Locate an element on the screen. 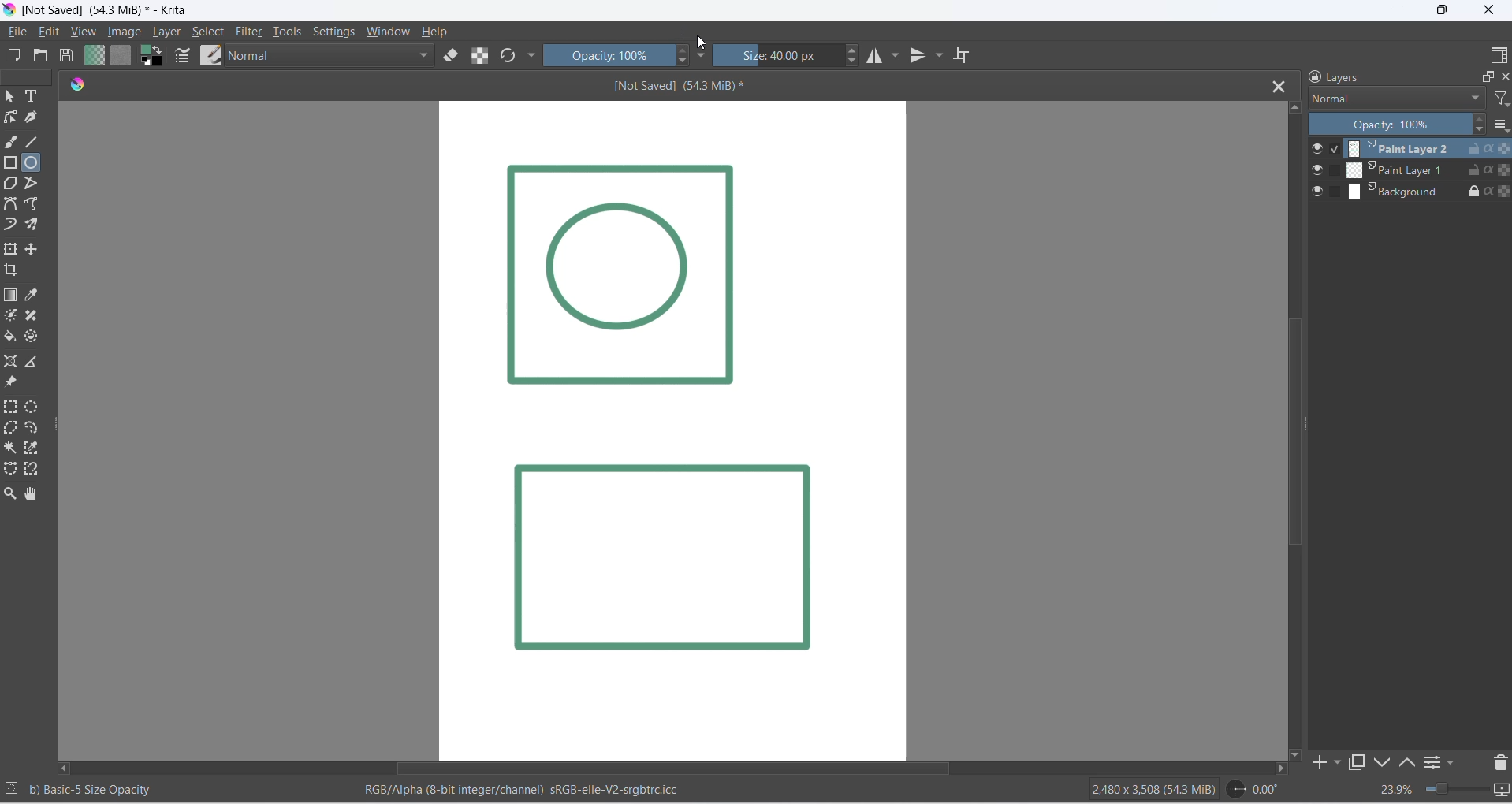  draw gradient is located at coordinates (11, 296).